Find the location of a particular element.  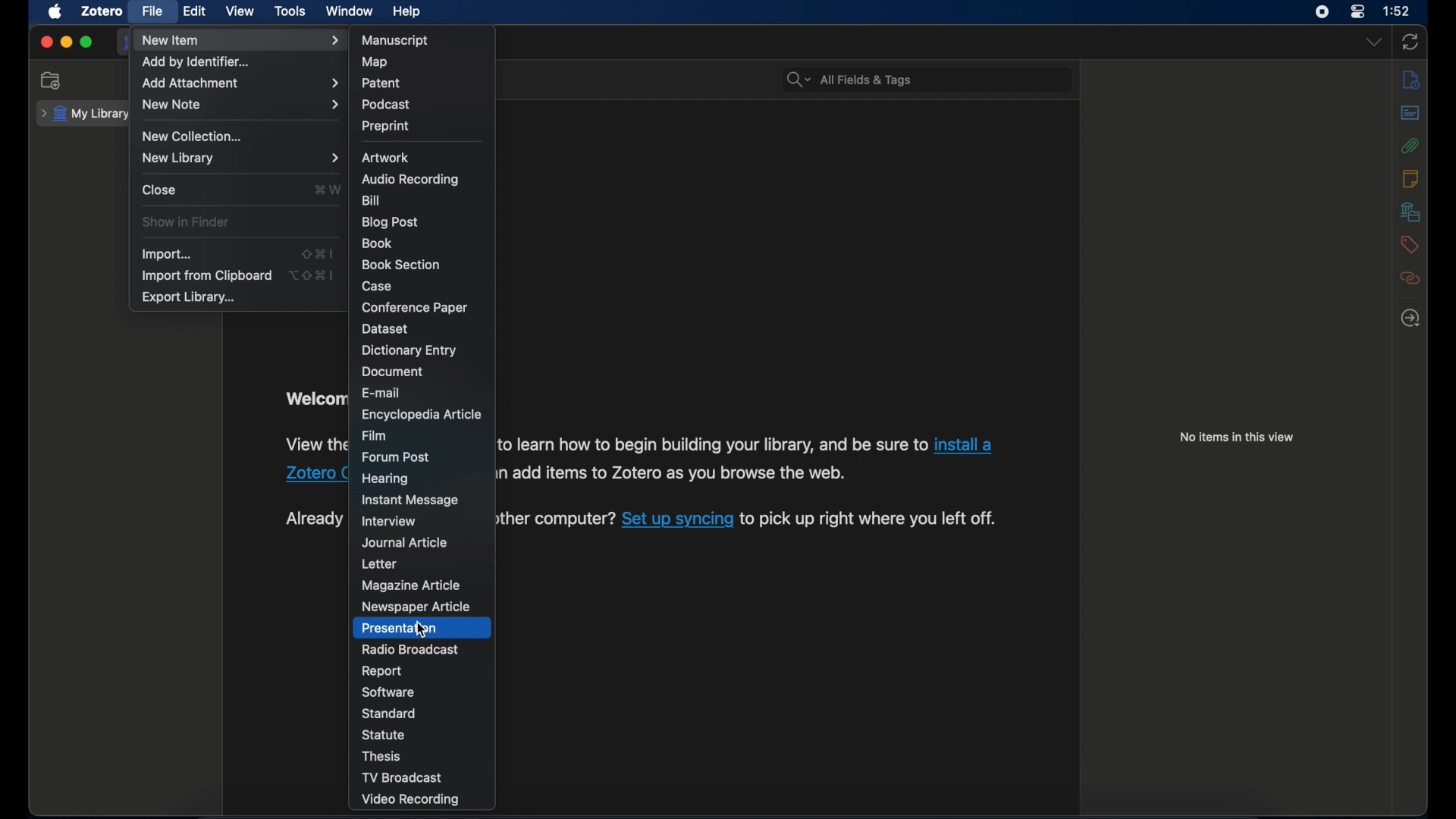

libraries is located at coordinates (1410, 212).